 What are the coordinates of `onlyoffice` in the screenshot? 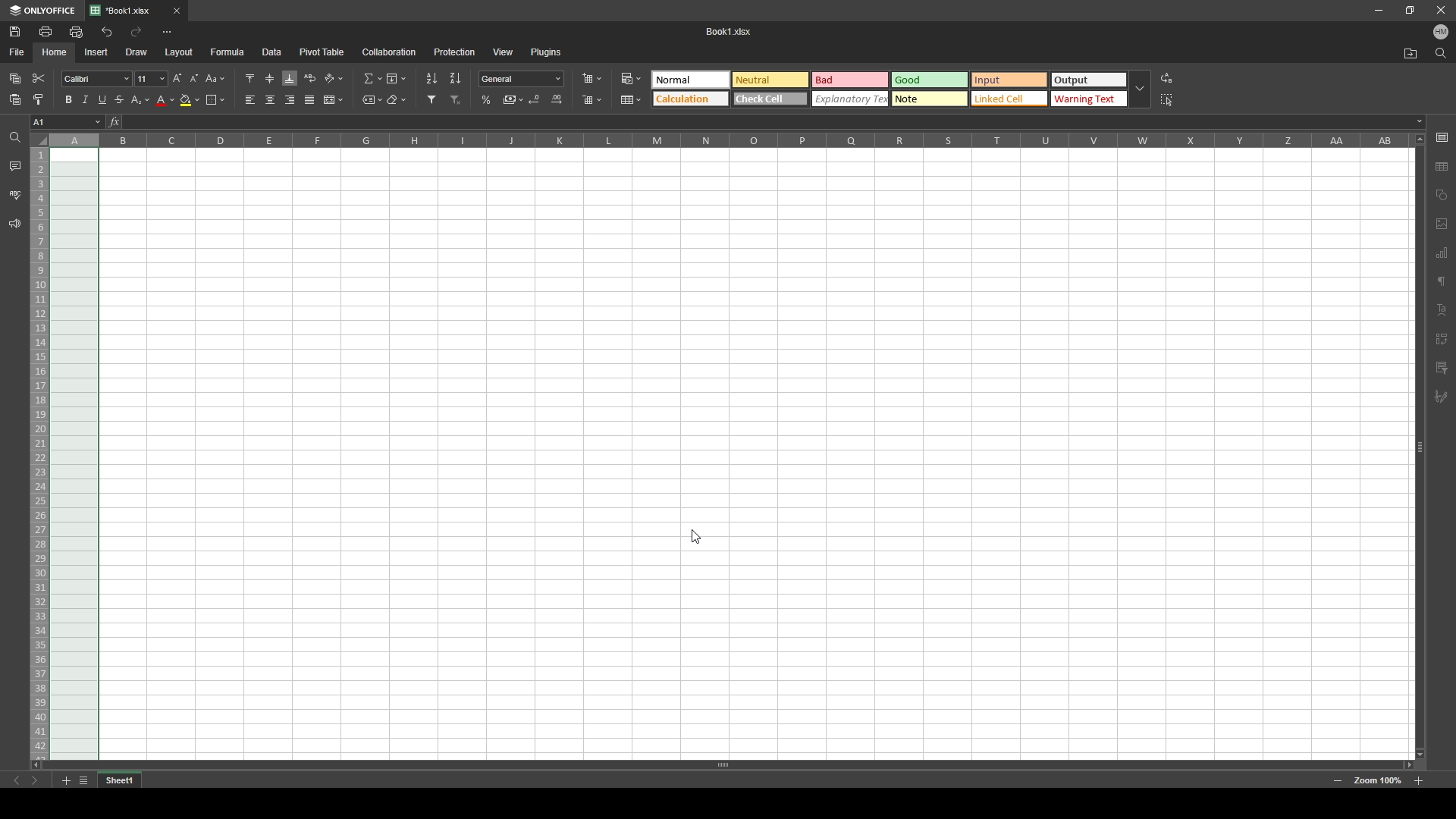 It's located at (43, 11).